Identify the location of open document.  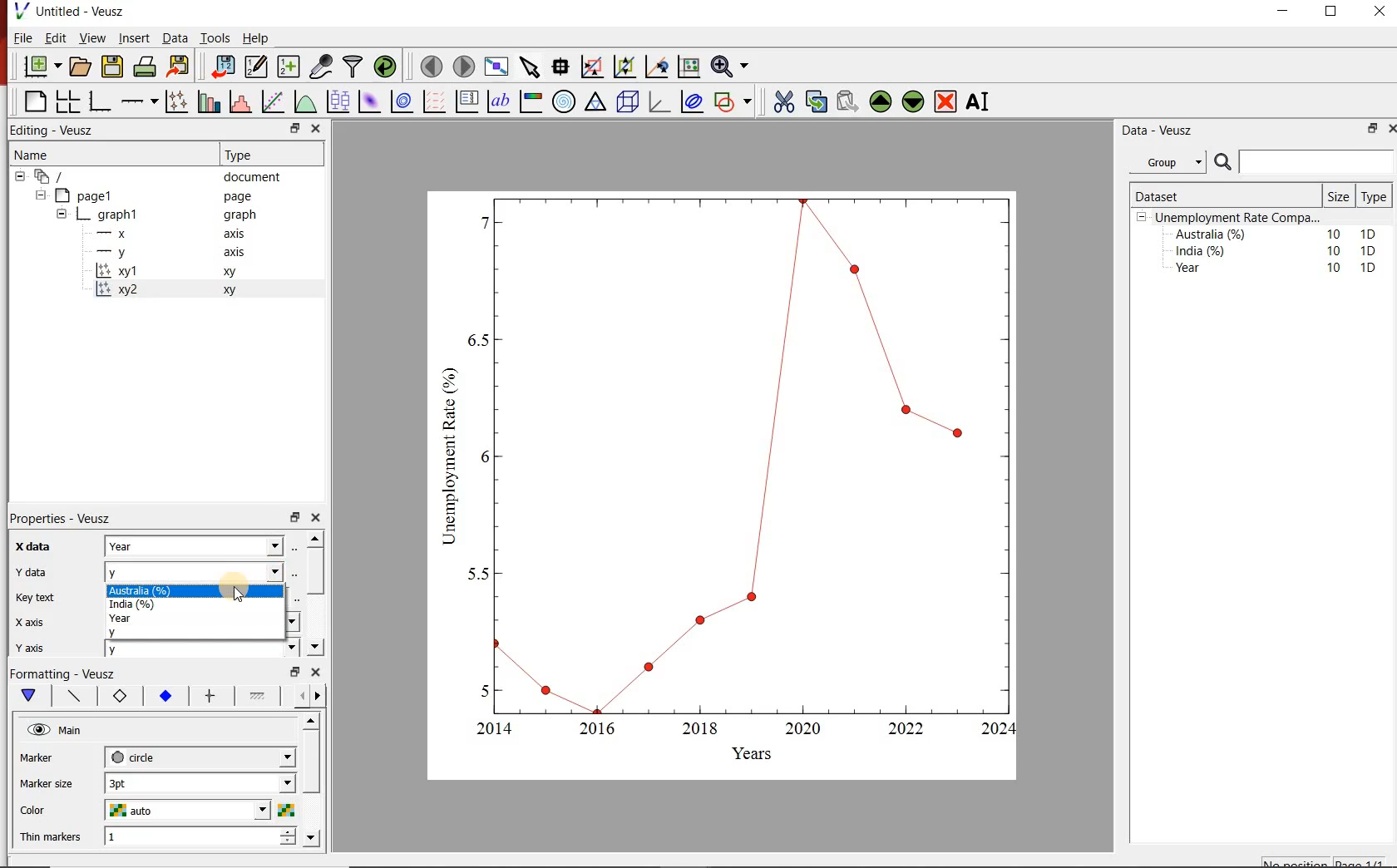
(81, 67).